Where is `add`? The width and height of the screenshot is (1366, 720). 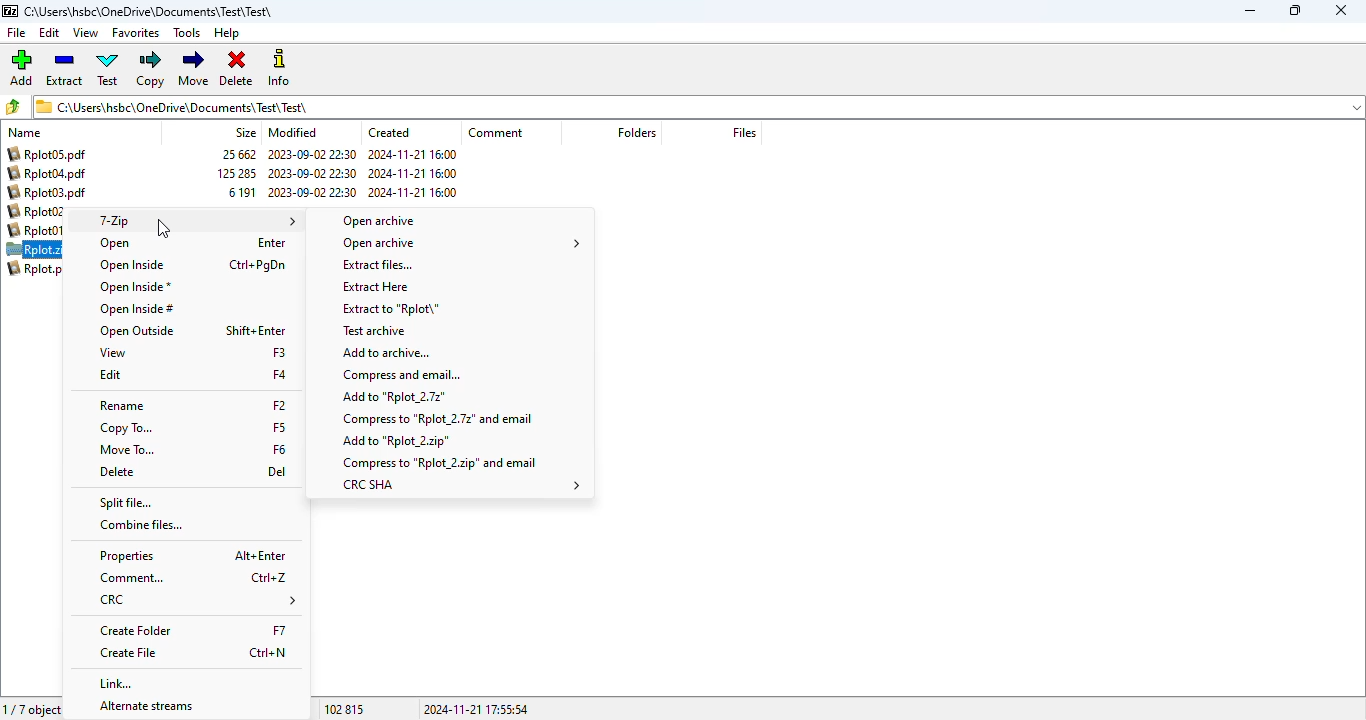 add is located at coordinates (20, 67).